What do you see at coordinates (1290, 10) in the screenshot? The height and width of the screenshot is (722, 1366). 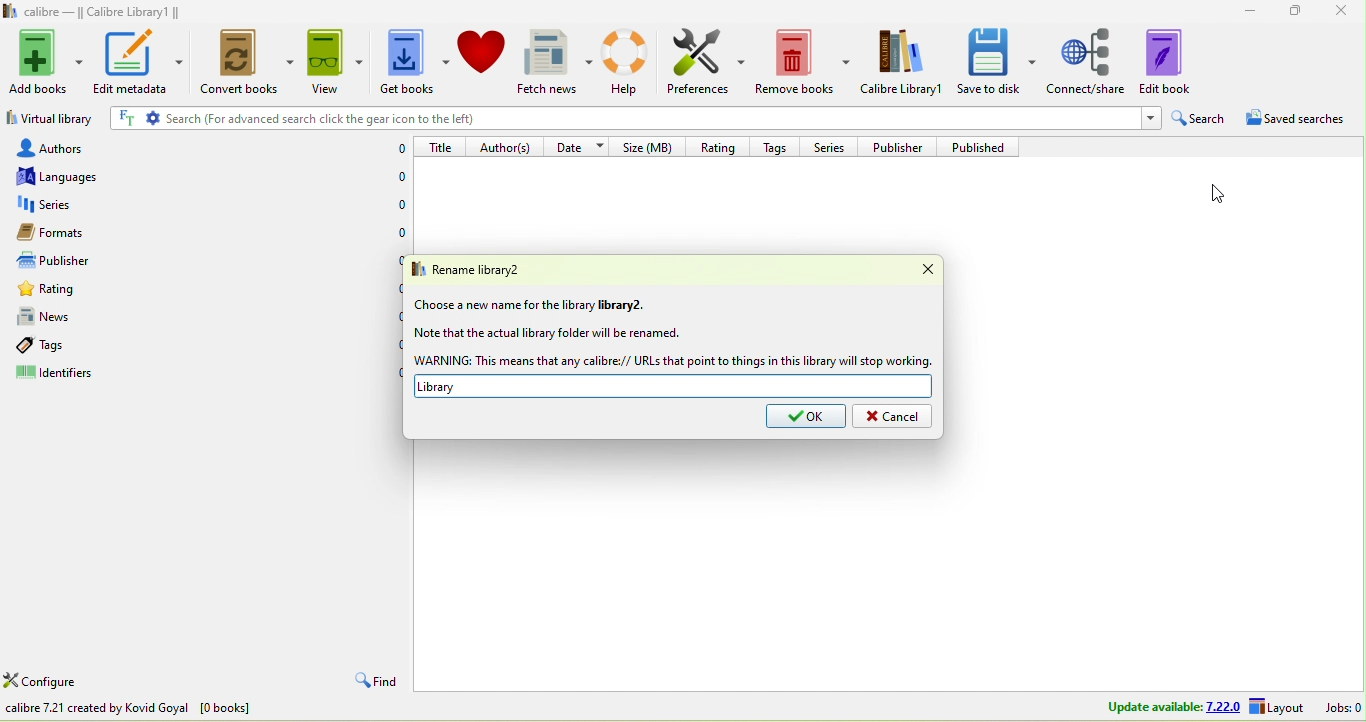 I see `maximize` at bounding box center [1290, 10].